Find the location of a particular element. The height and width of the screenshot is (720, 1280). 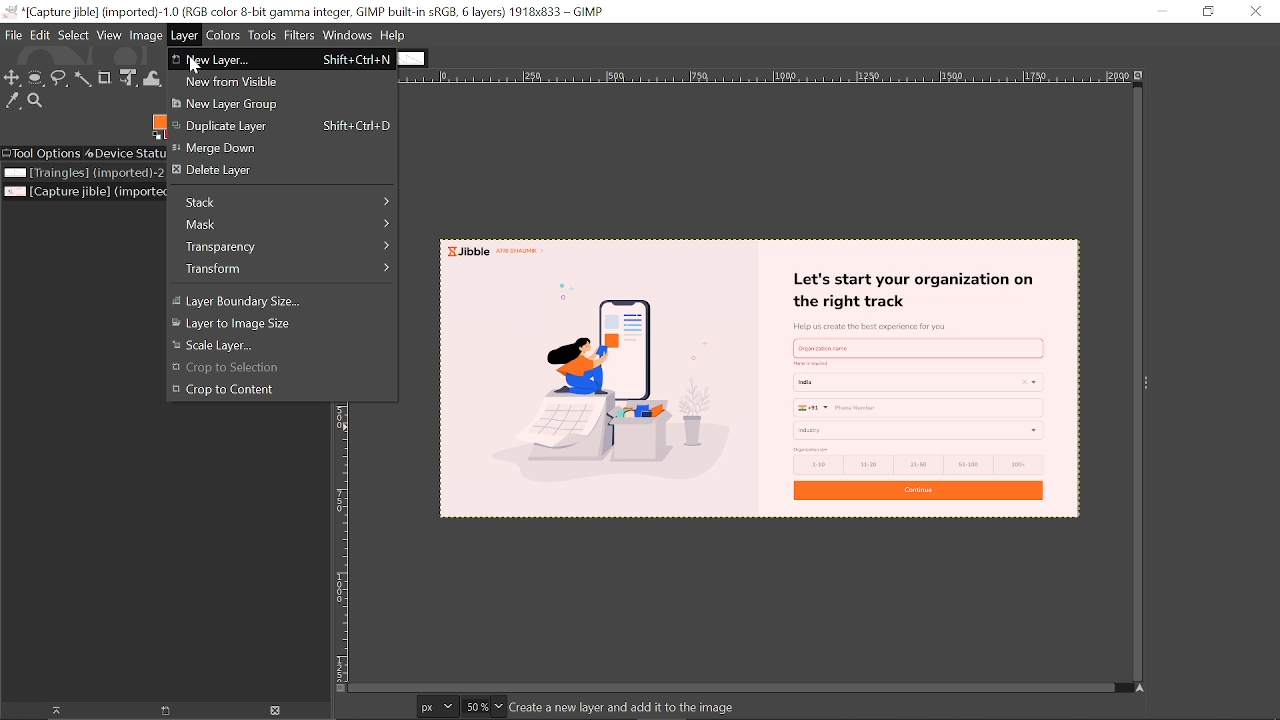

cursor is located at coordinates (195, 66).